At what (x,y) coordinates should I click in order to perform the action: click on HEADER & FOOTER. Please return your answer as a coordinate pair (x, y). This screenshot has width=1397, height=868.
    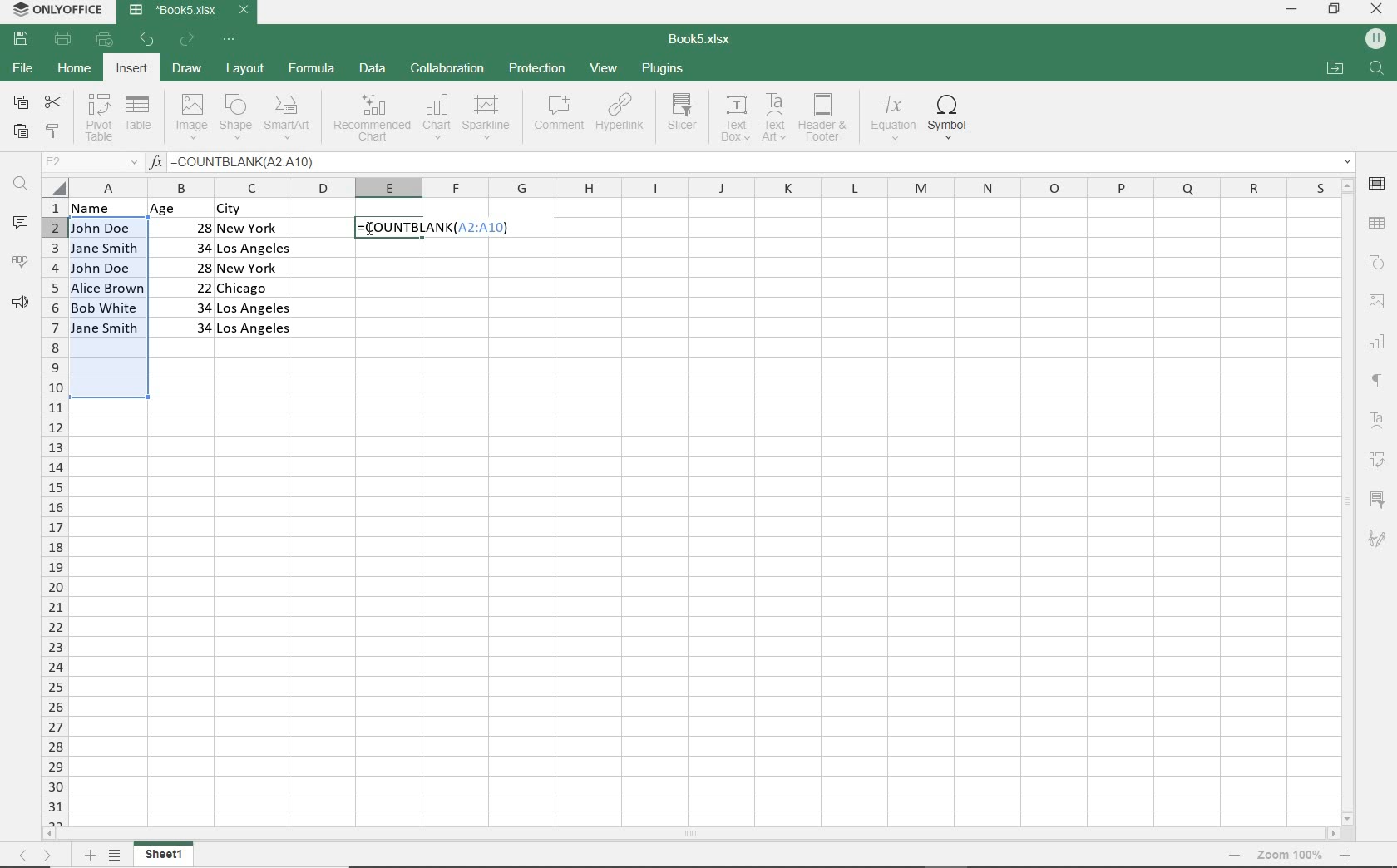
    Looking at the image, I should click on (823, 118).